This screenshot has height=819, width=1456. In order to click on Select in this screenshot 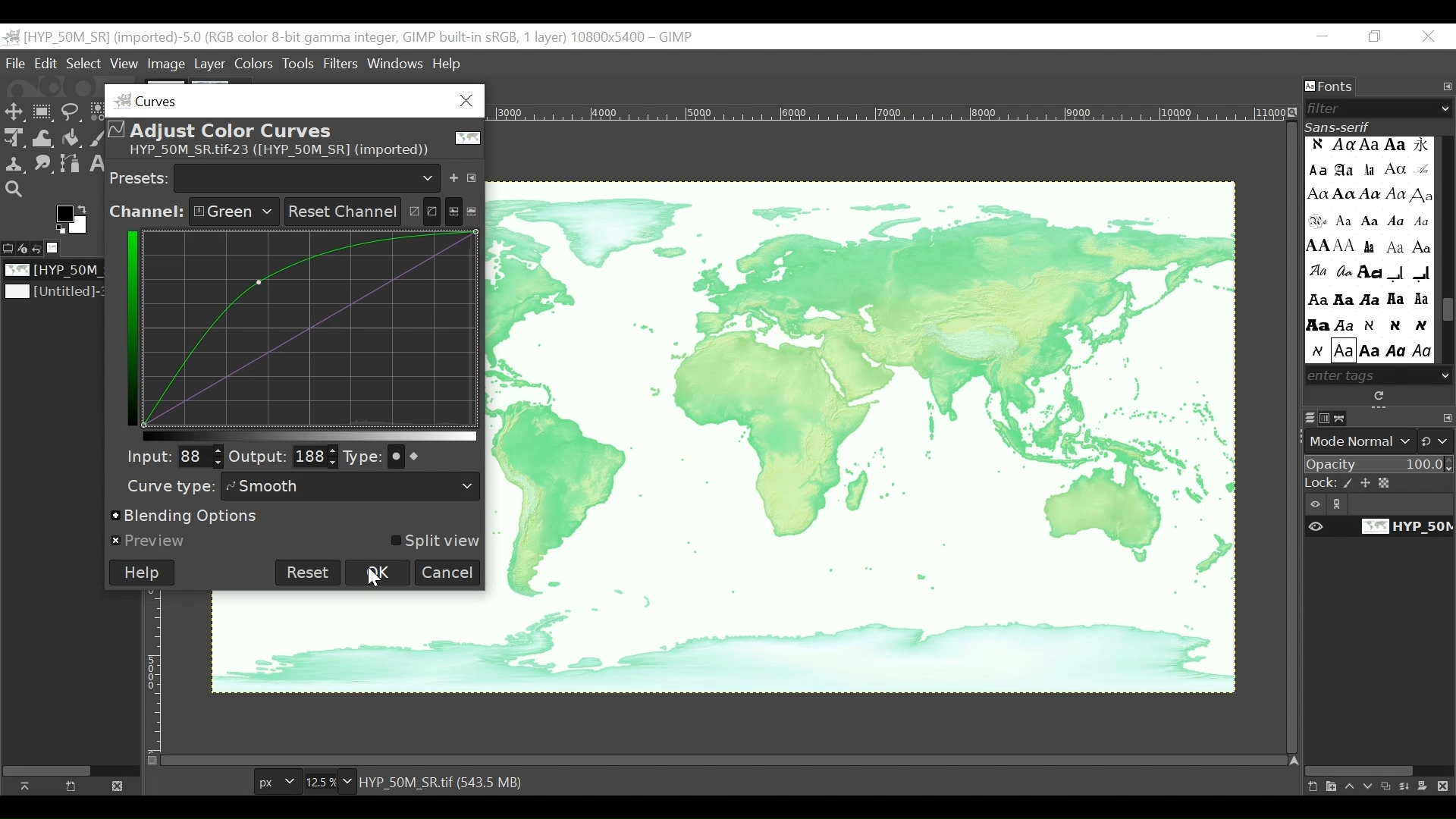, I will do `click(83, 64)`.